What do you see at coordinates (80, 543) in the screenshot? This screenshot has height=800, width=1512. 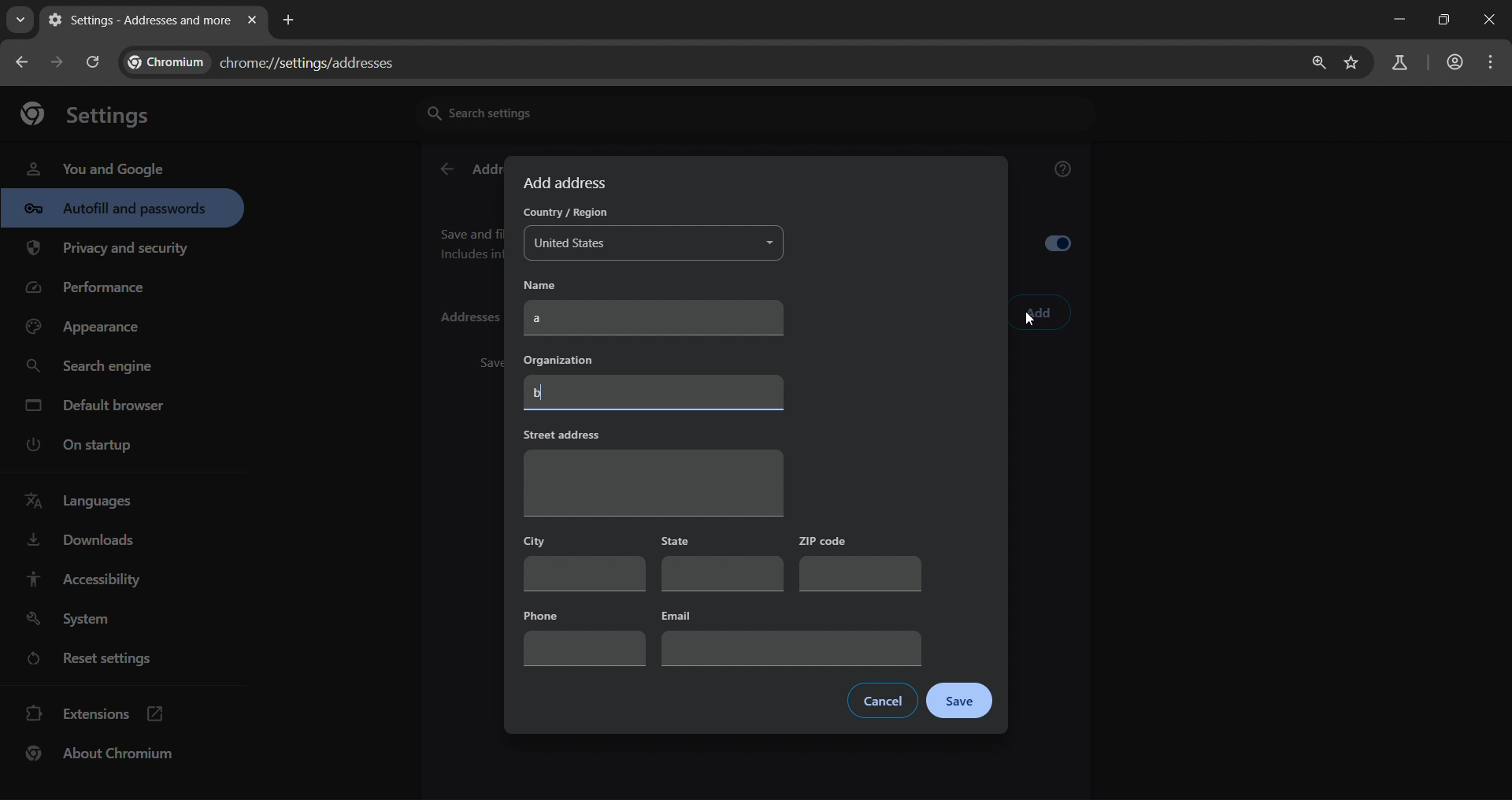 I see `downloads` at bounding box center [80, 543].